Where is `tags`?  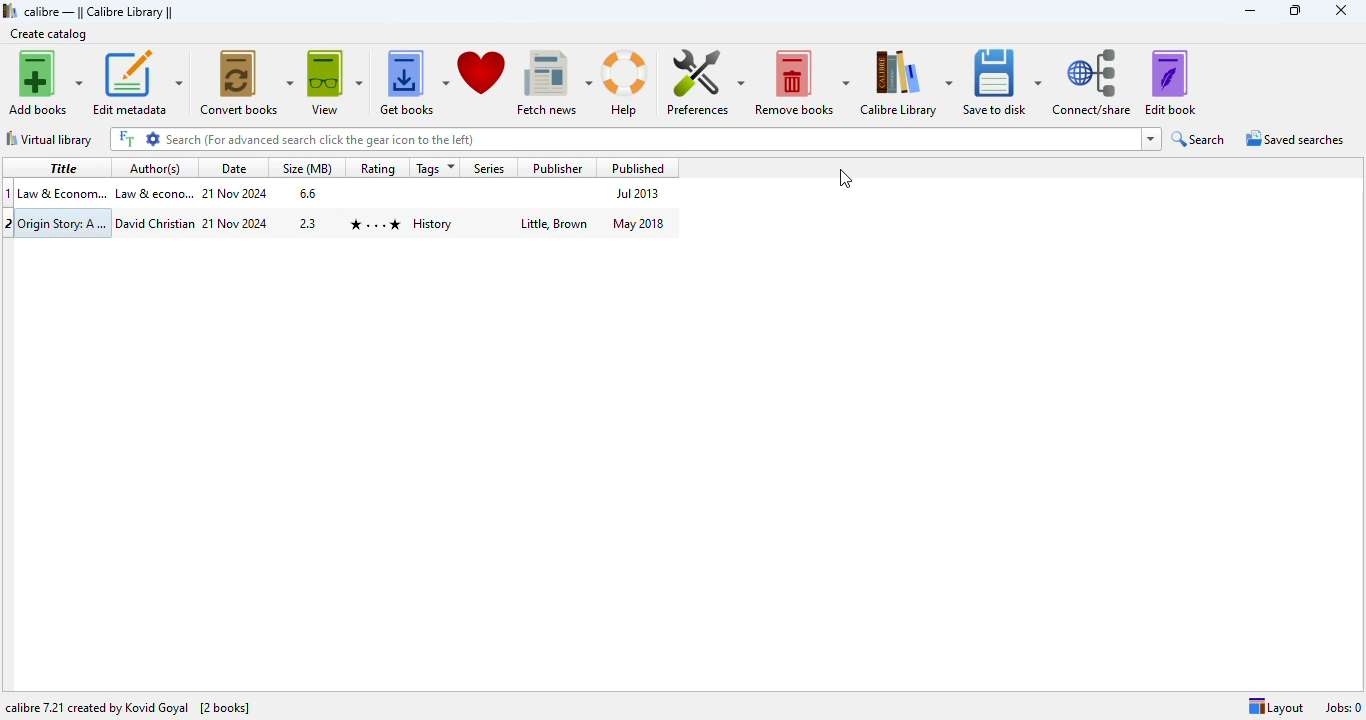
tags is located at coordinates (438, 167).